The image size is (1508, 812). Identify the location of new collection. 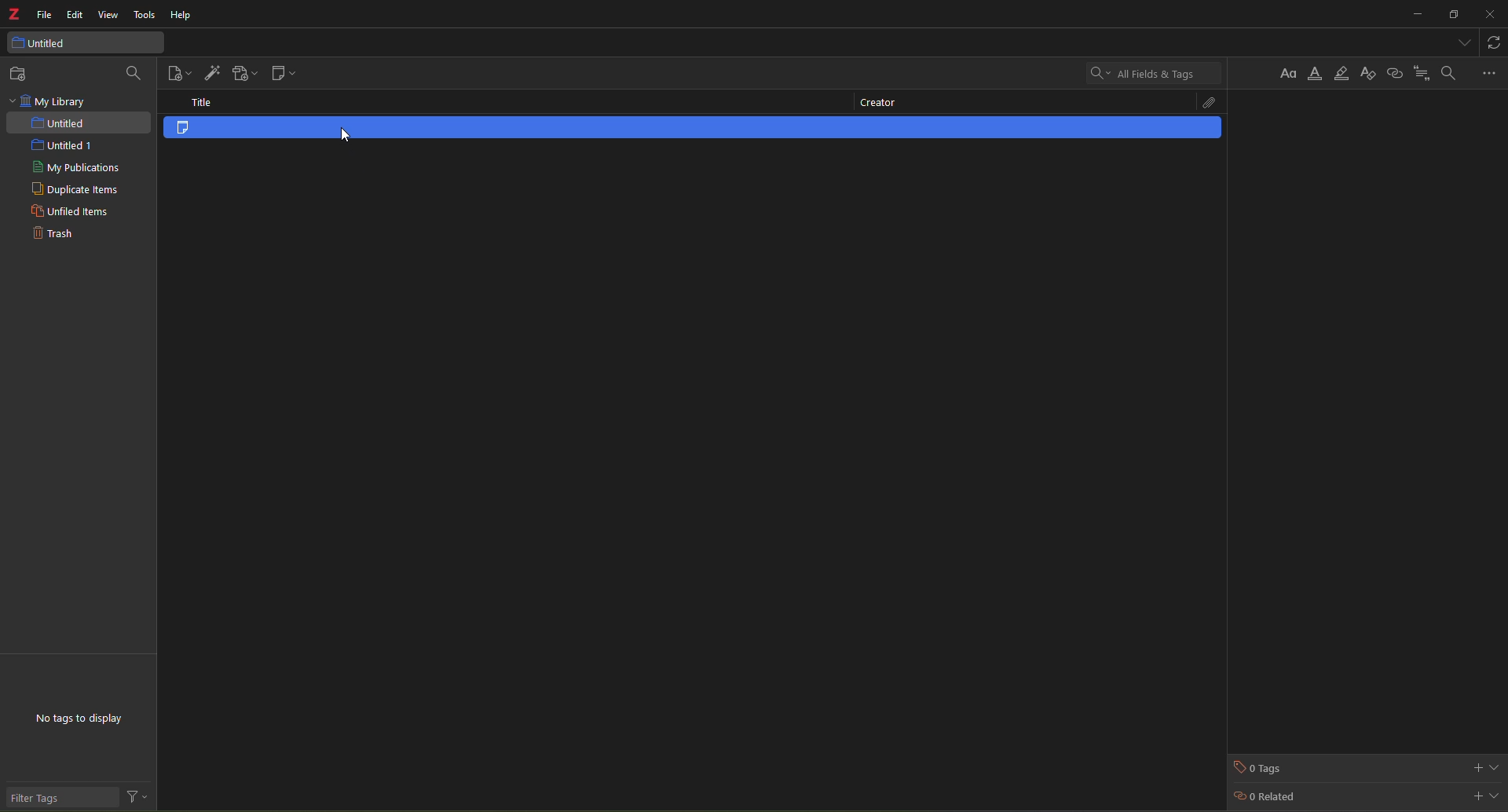
(24, 74).